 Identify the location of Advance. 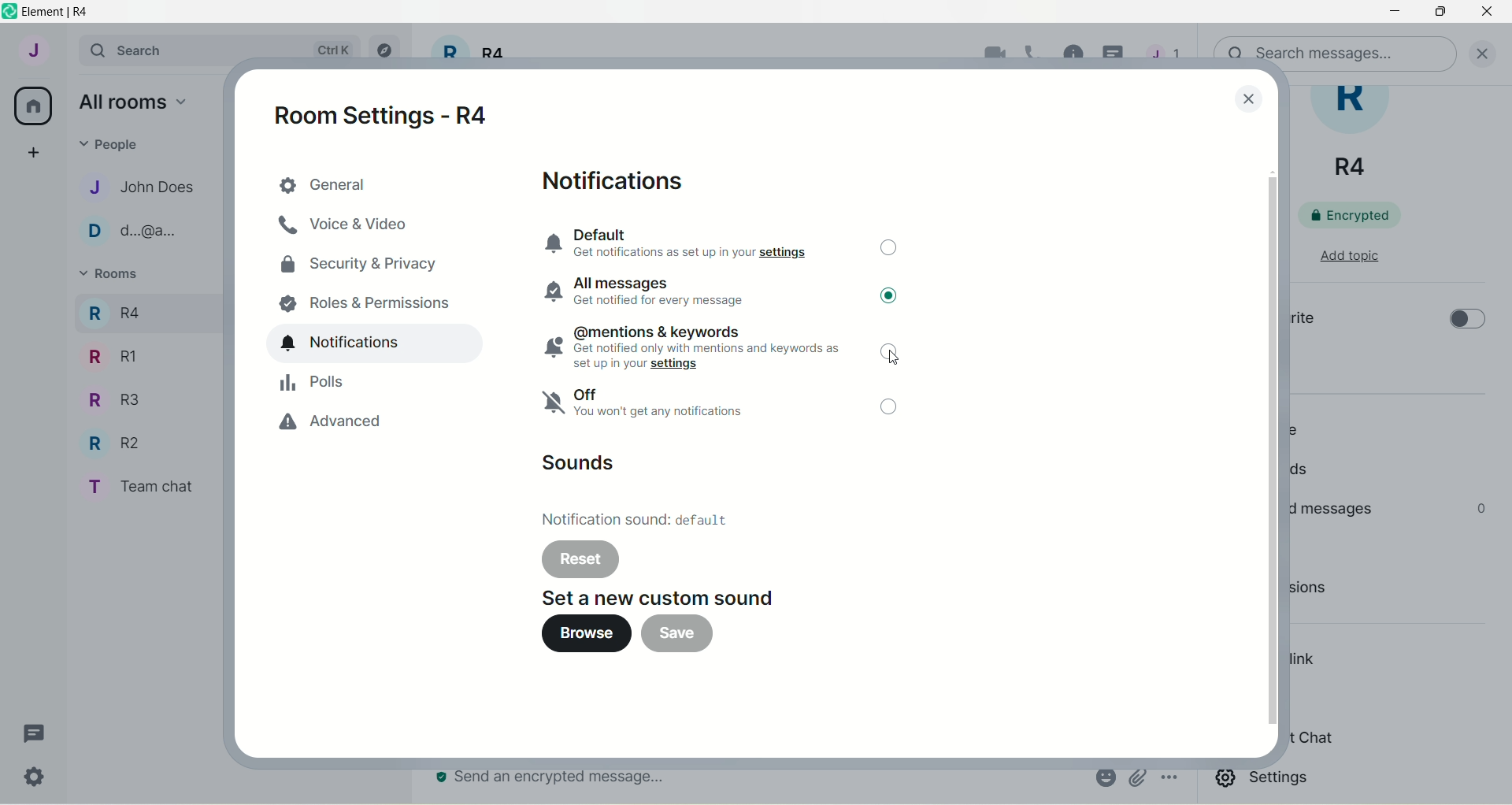
(359, 424).